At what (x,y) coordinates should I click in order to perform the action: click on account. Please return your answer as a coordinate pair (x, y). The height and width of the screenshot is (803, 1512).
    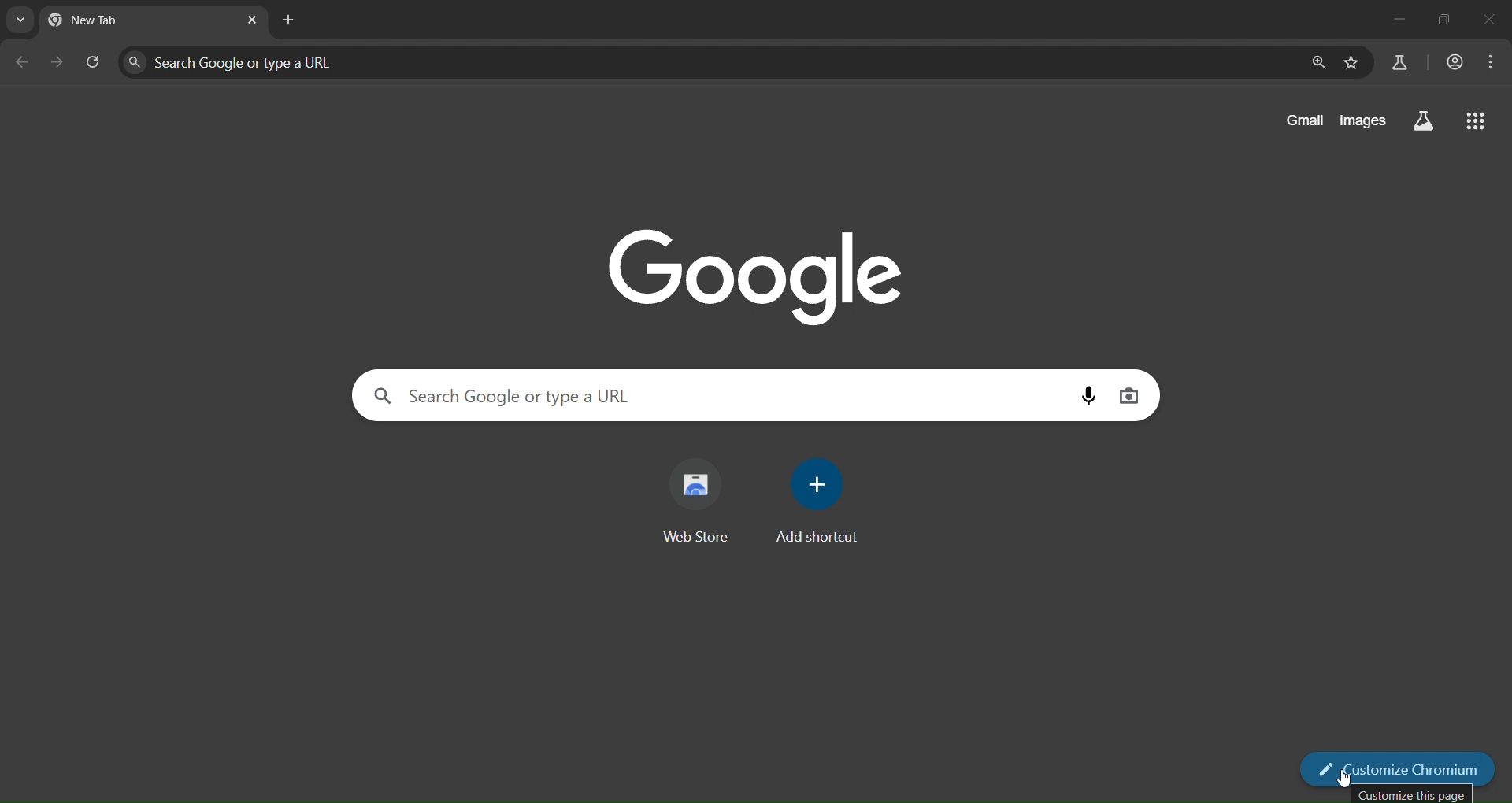
    Looking at the image, I should click on (1455, 63).